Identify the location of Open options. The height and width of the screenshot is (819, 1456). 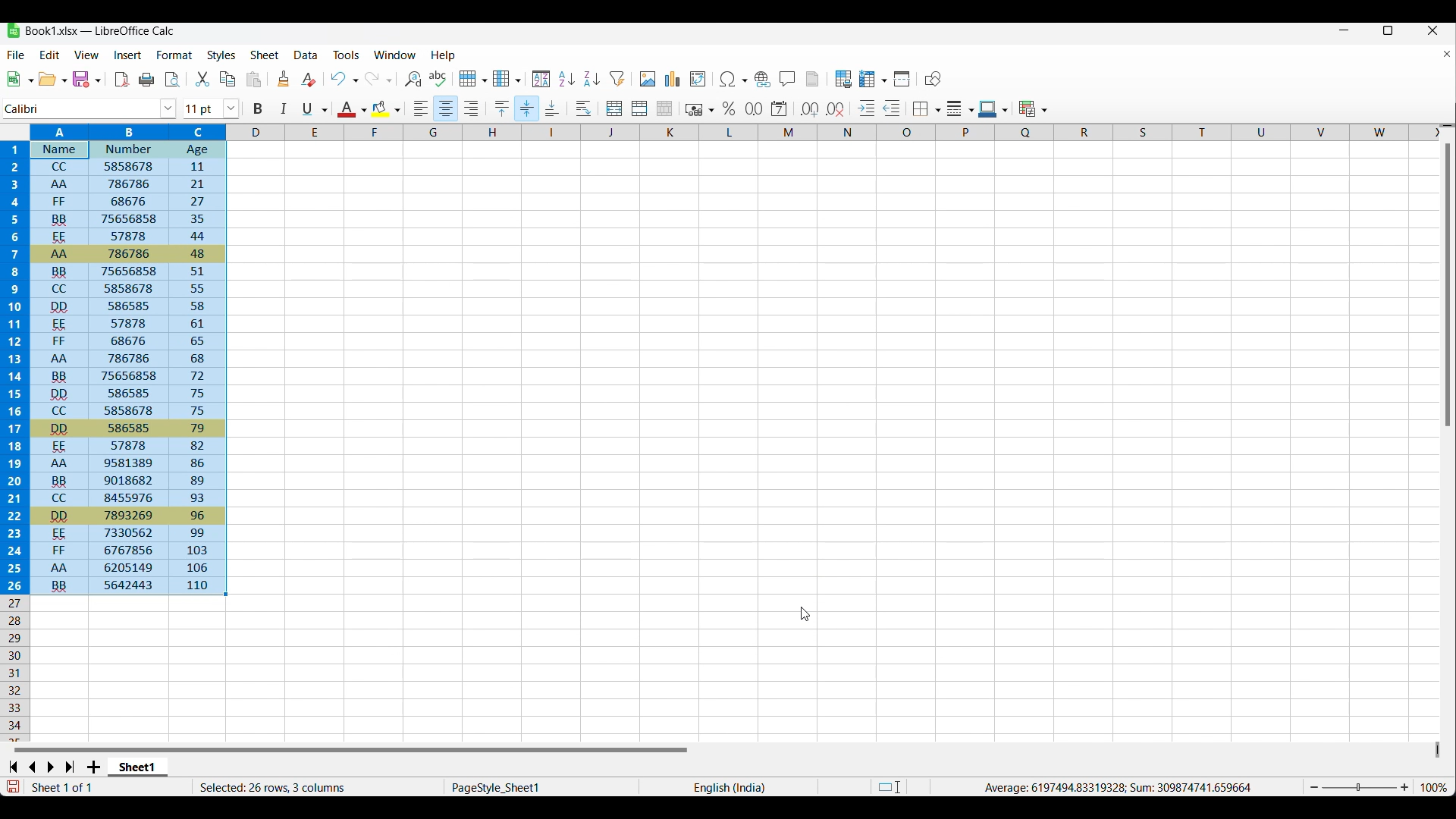
(52, 79).